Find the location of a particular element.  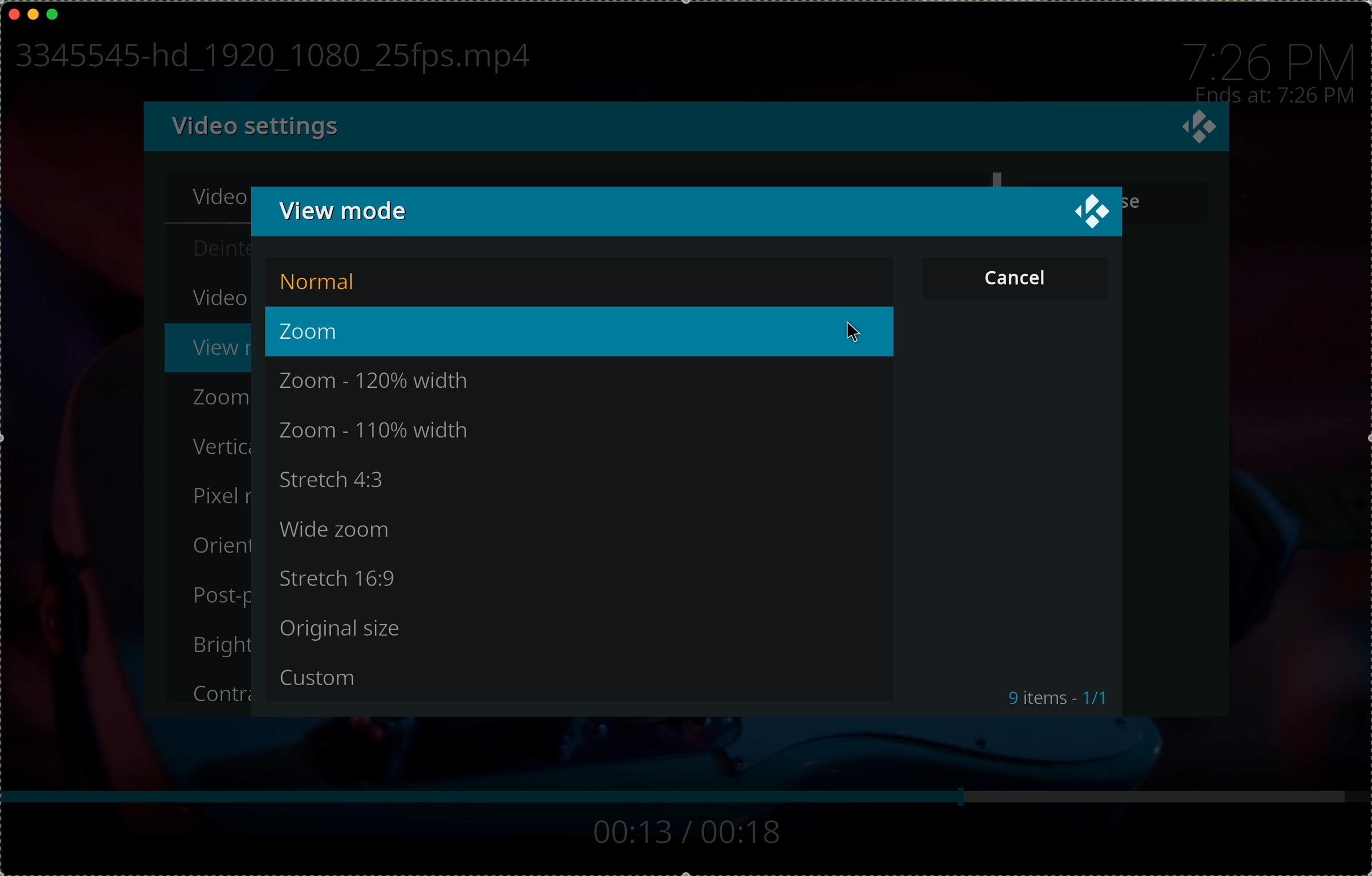

close is located at coordinates (14, 12).